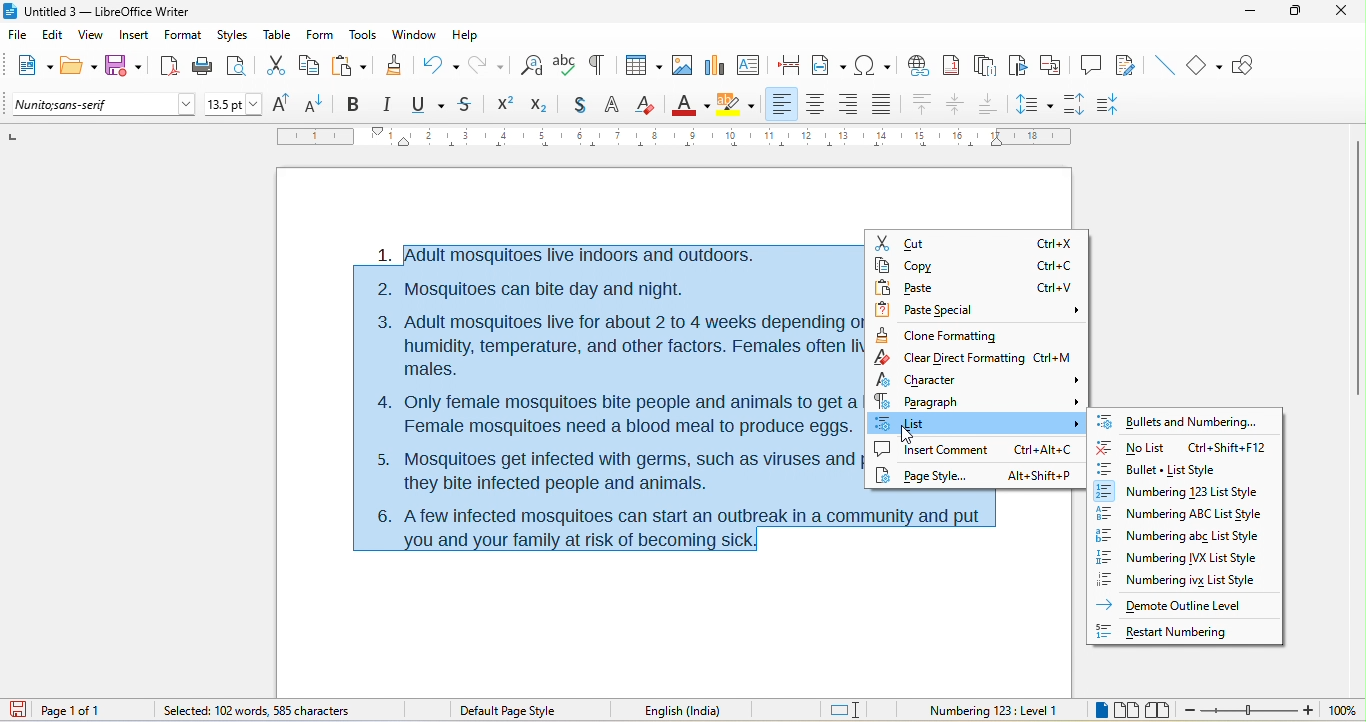 This screenshot has height=722, width=1366. Describe the element at coordinates (1163, 64) in the screenshot. I see `insert line` at that location.